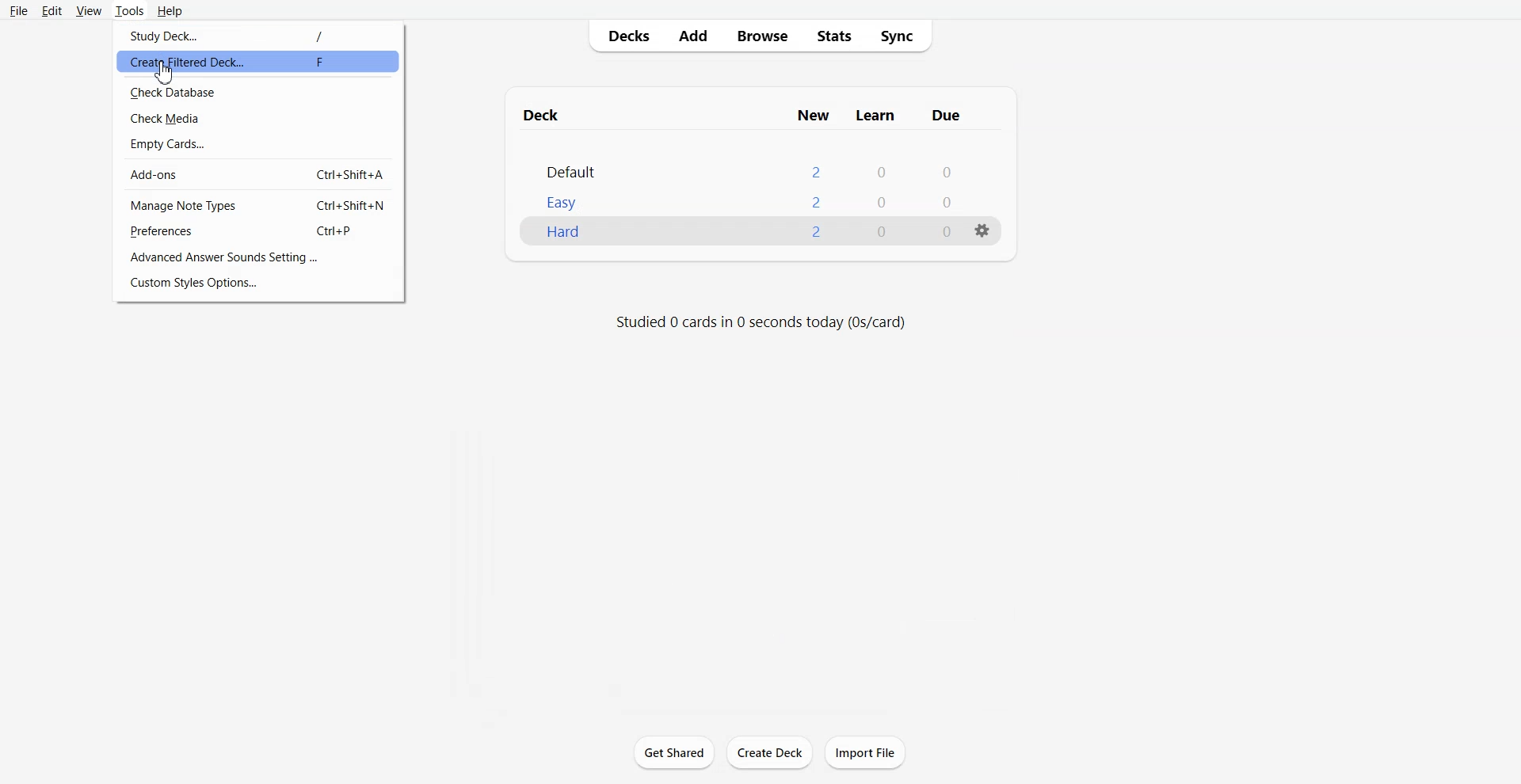 This screenshot has height=784, width=1521. Describe the element at coordinates (834, 36) in the screenshot. I see `Stats` at that location.